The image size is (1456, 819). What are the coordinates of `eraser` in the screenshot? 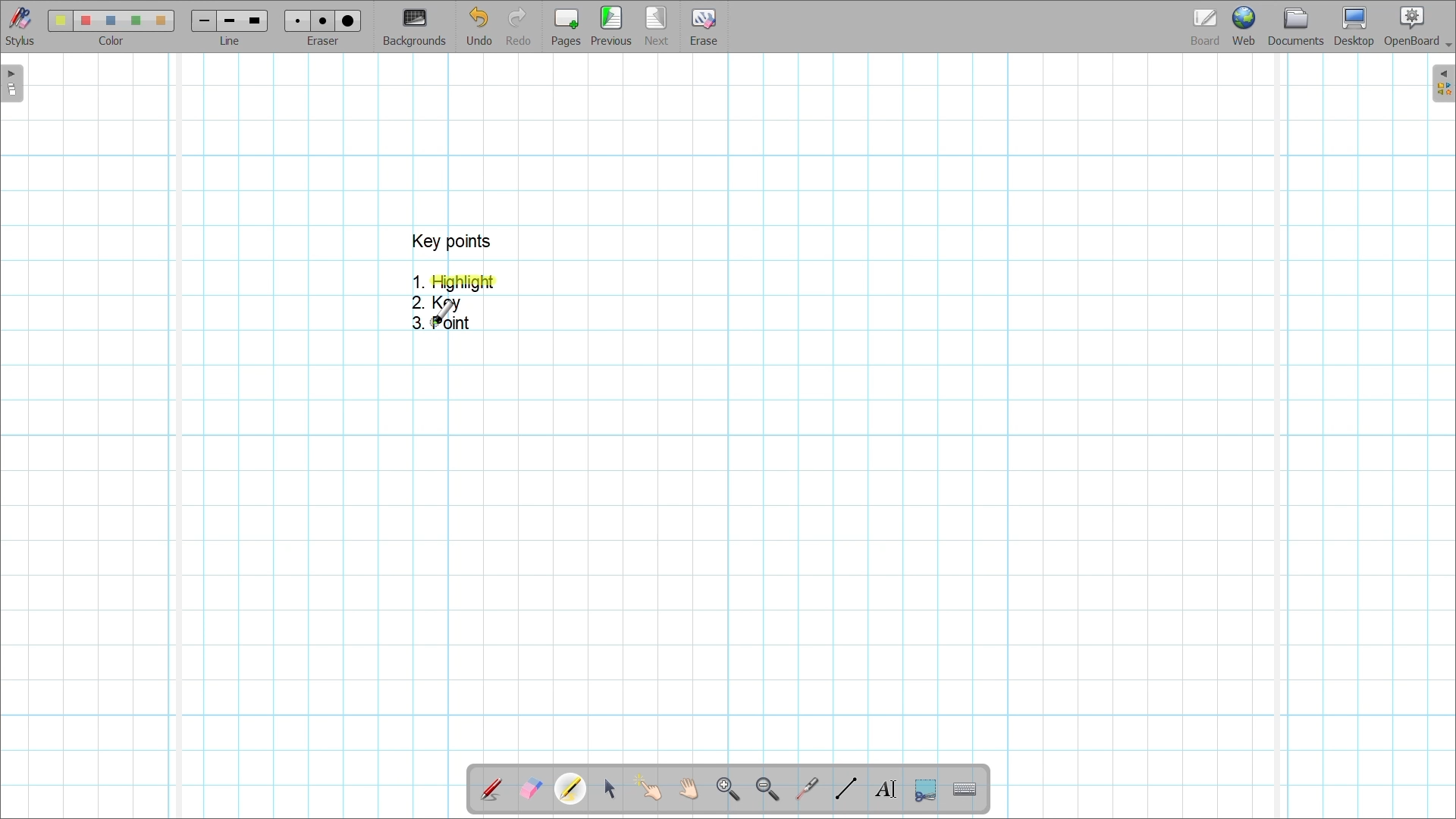 It's located at (326, 42).